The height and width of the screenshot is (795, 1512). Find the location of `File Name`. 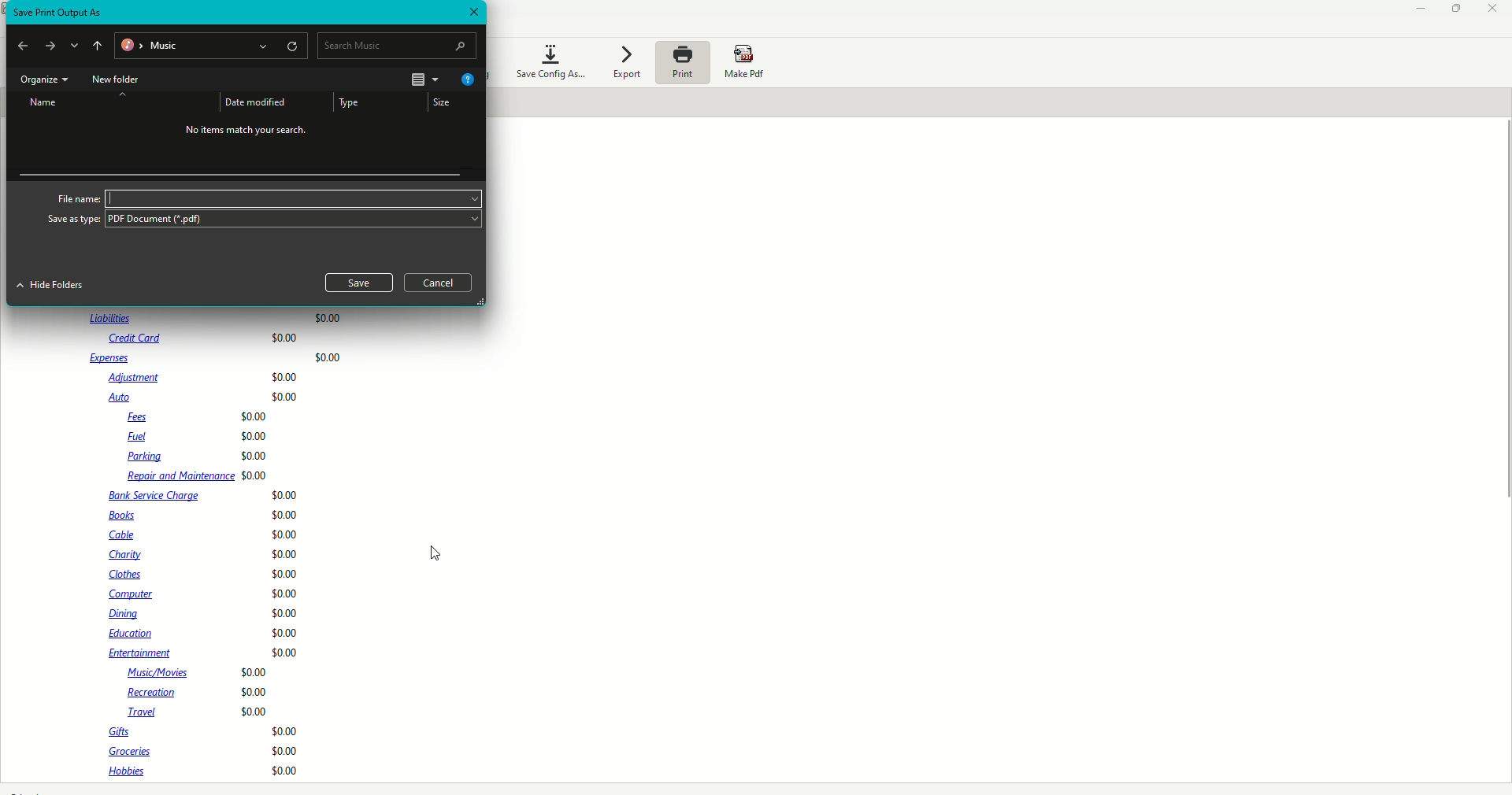

File Name is located at coordinates (76, 197).